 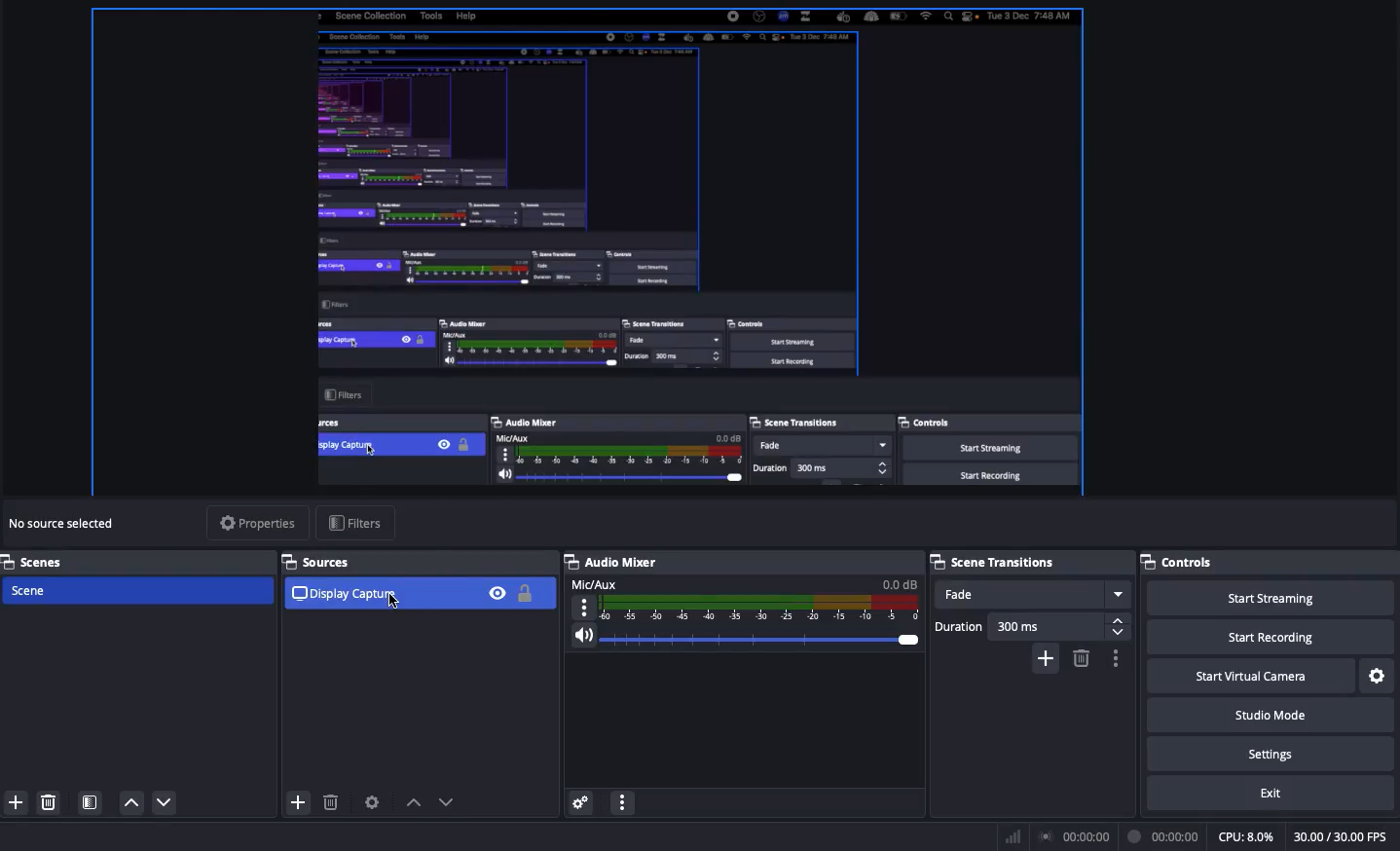 What do you see at coordinates (259, 525) in the screenshot?
I see `Properties` at bounding box center [259, 525].